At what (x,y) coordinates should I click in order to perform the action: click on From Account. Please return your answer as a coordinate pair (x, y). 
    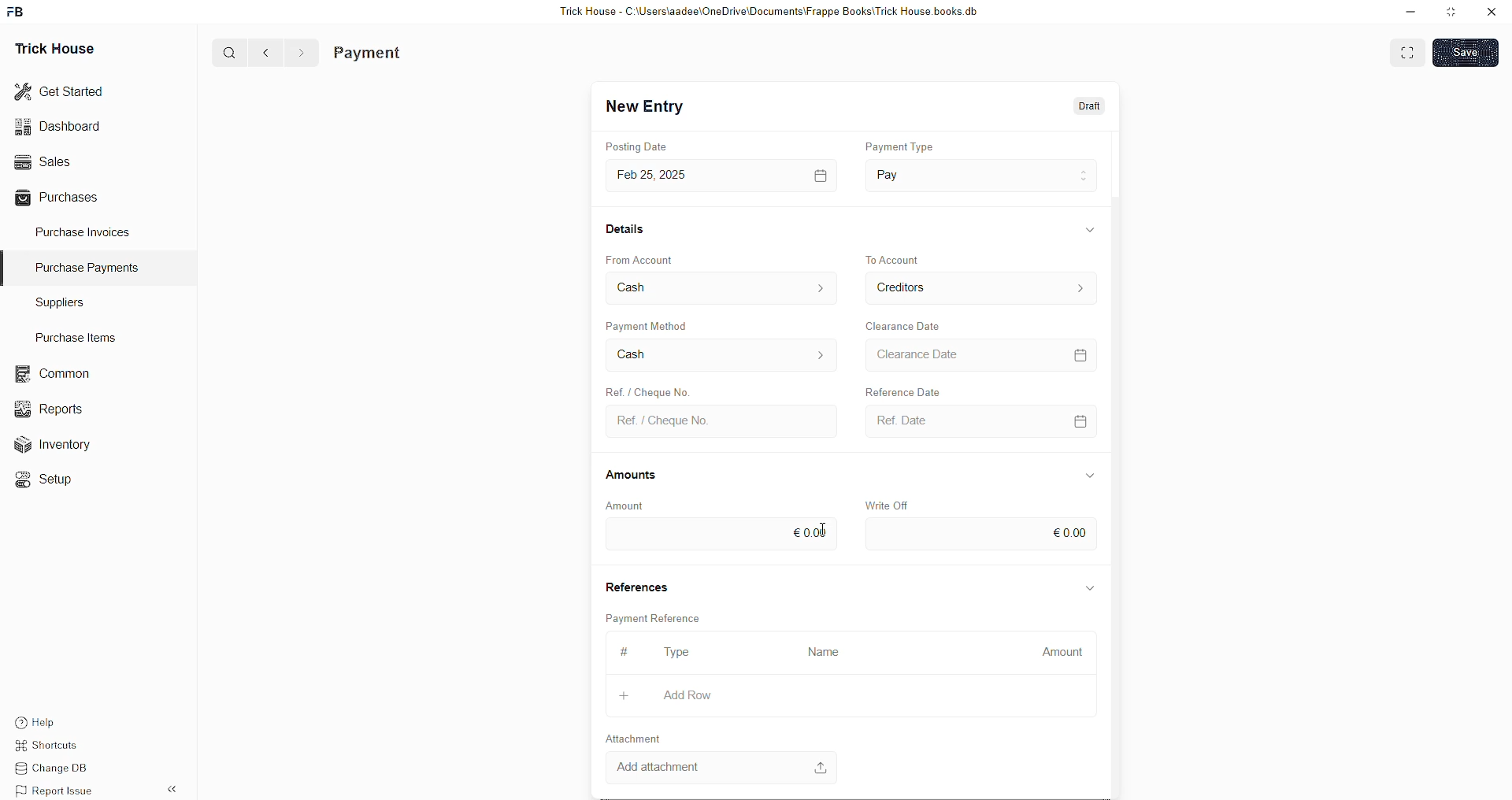
    Looking at the image, I should click on (651, 259).